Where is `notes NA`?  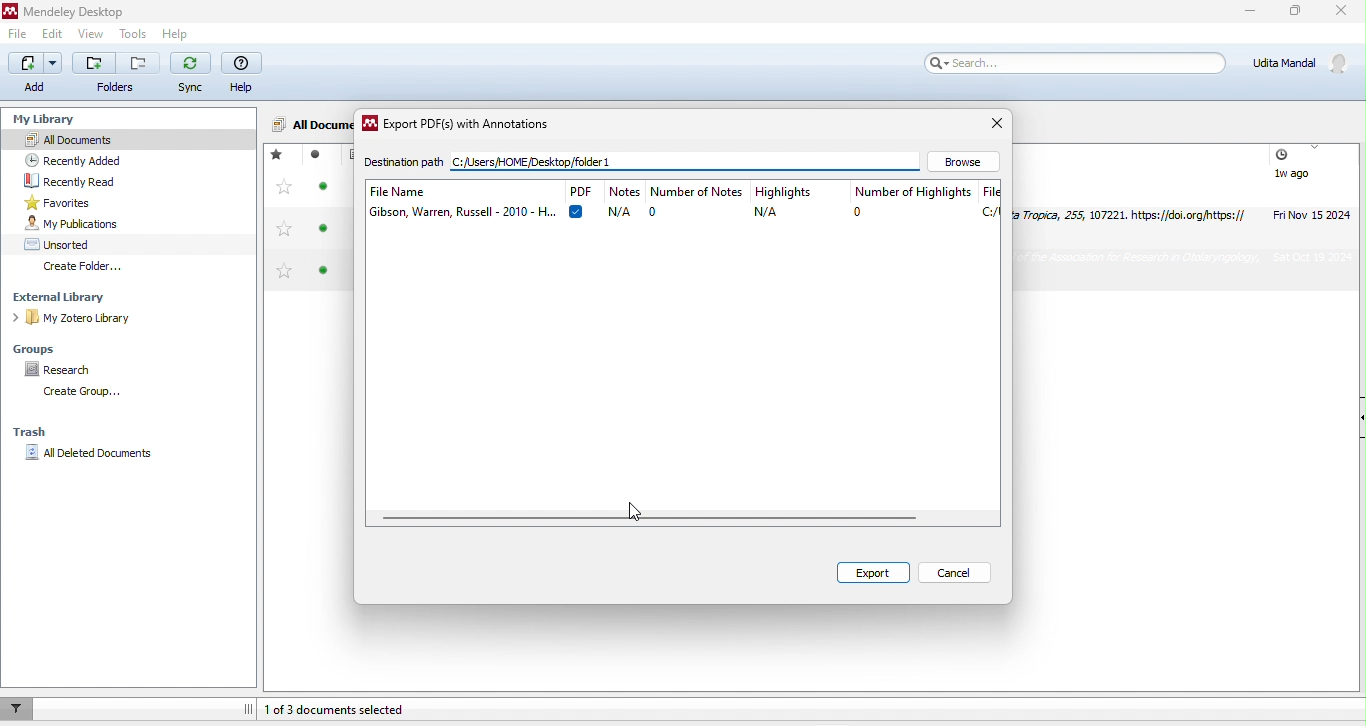
notes NA is located at coordinates (625, 201).